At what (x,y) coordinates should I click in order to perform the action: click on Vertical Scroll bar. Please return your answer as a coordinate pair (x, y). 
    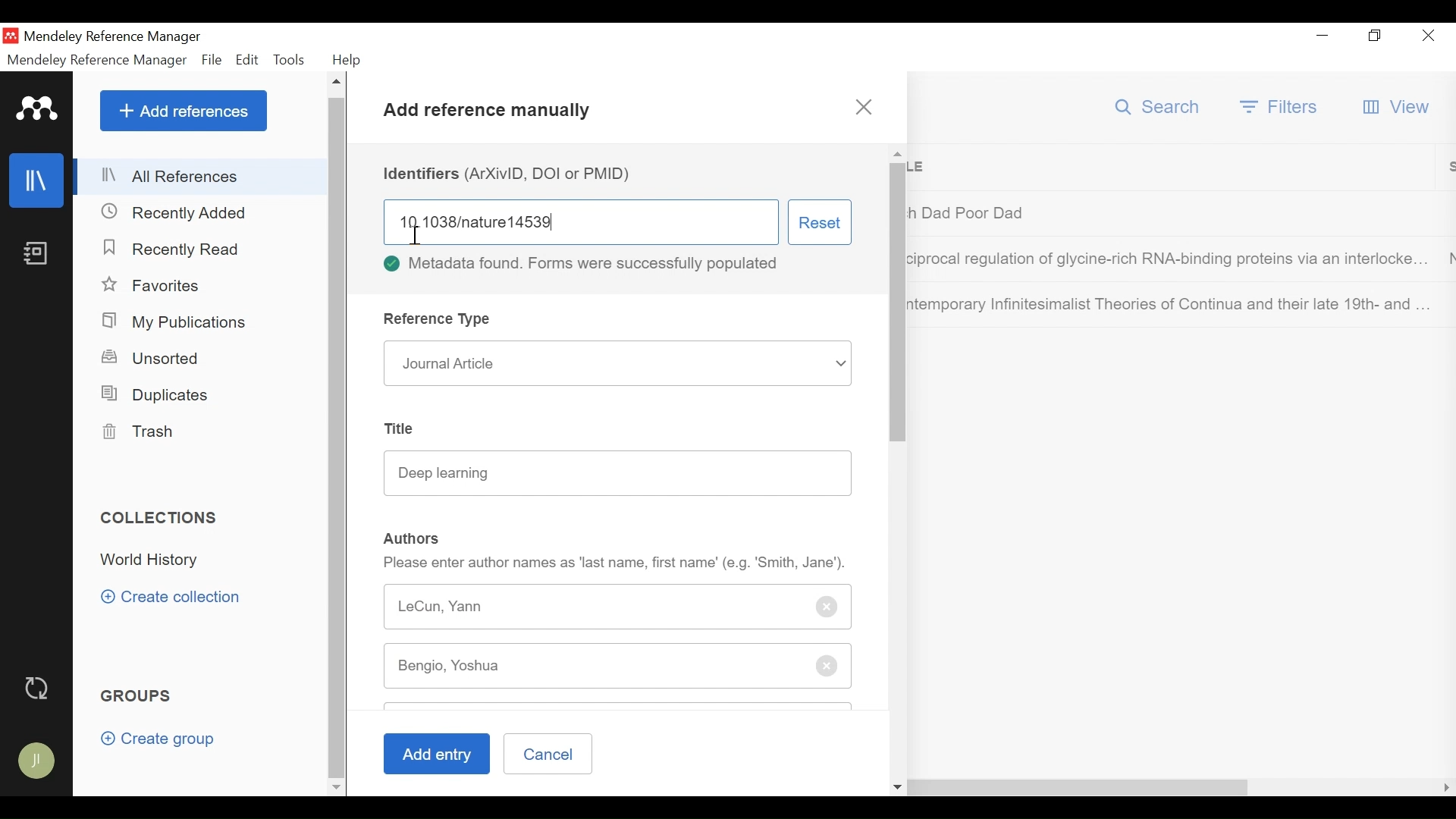
    Looking at the image, I should click on (338, 436).